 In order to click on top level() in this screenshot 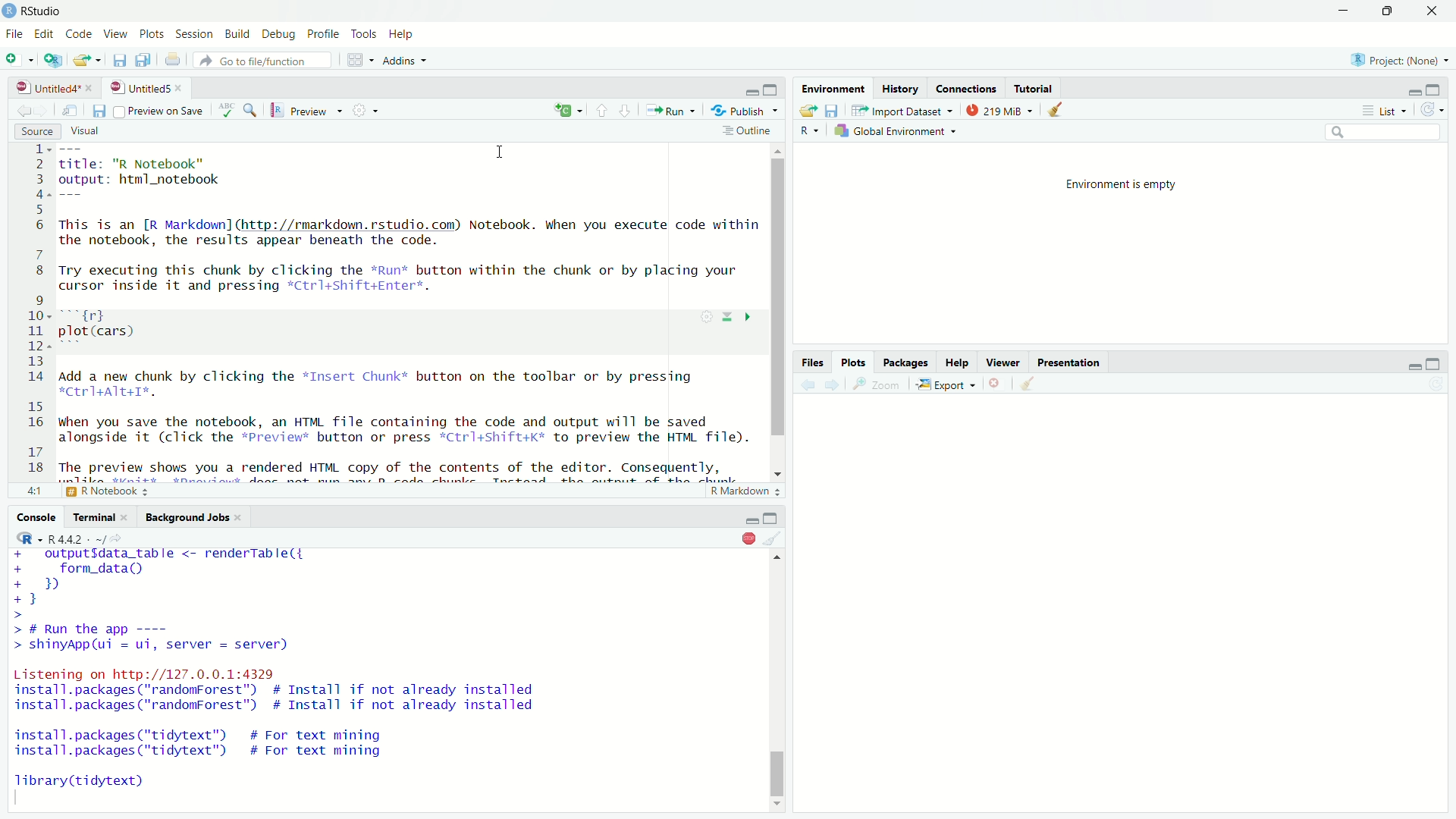, I will do `click(93, 491)`.